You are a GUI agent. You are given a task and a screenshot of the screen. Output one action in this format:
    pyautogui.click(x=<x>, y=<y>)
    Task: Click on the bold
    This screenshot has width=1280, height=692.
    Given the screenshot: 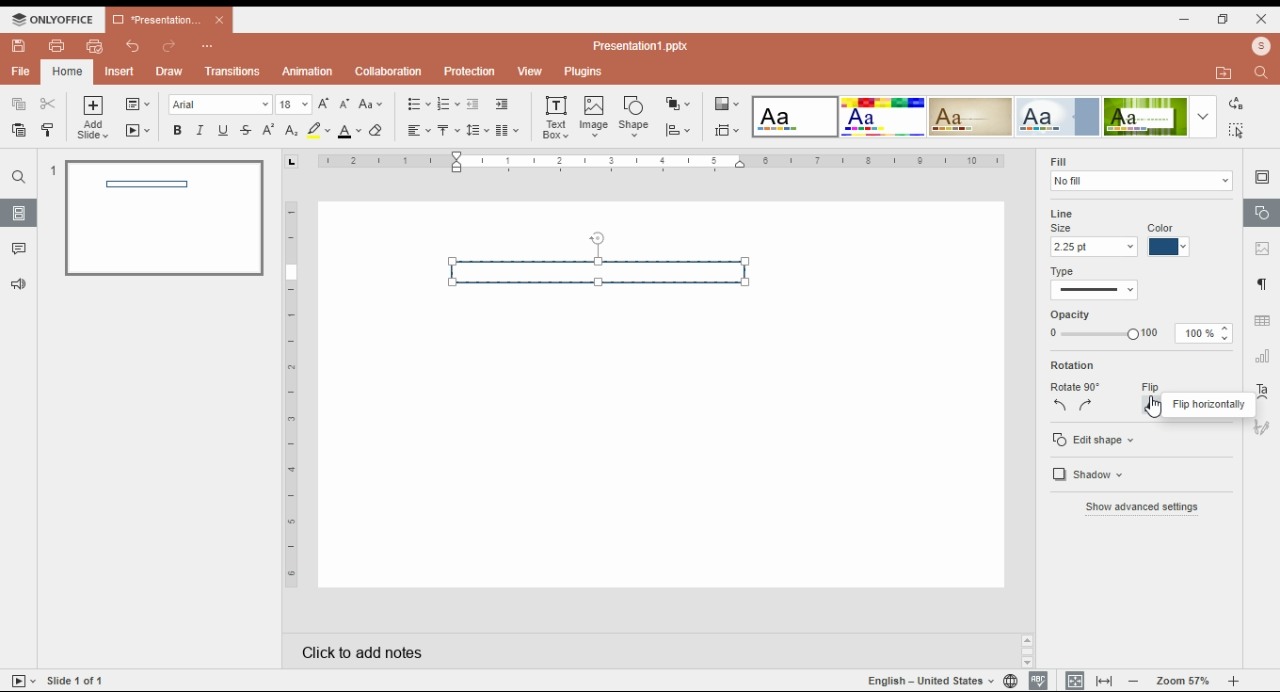 What is the action you would take?
    pyautogui.click(x=177, y=130)
    